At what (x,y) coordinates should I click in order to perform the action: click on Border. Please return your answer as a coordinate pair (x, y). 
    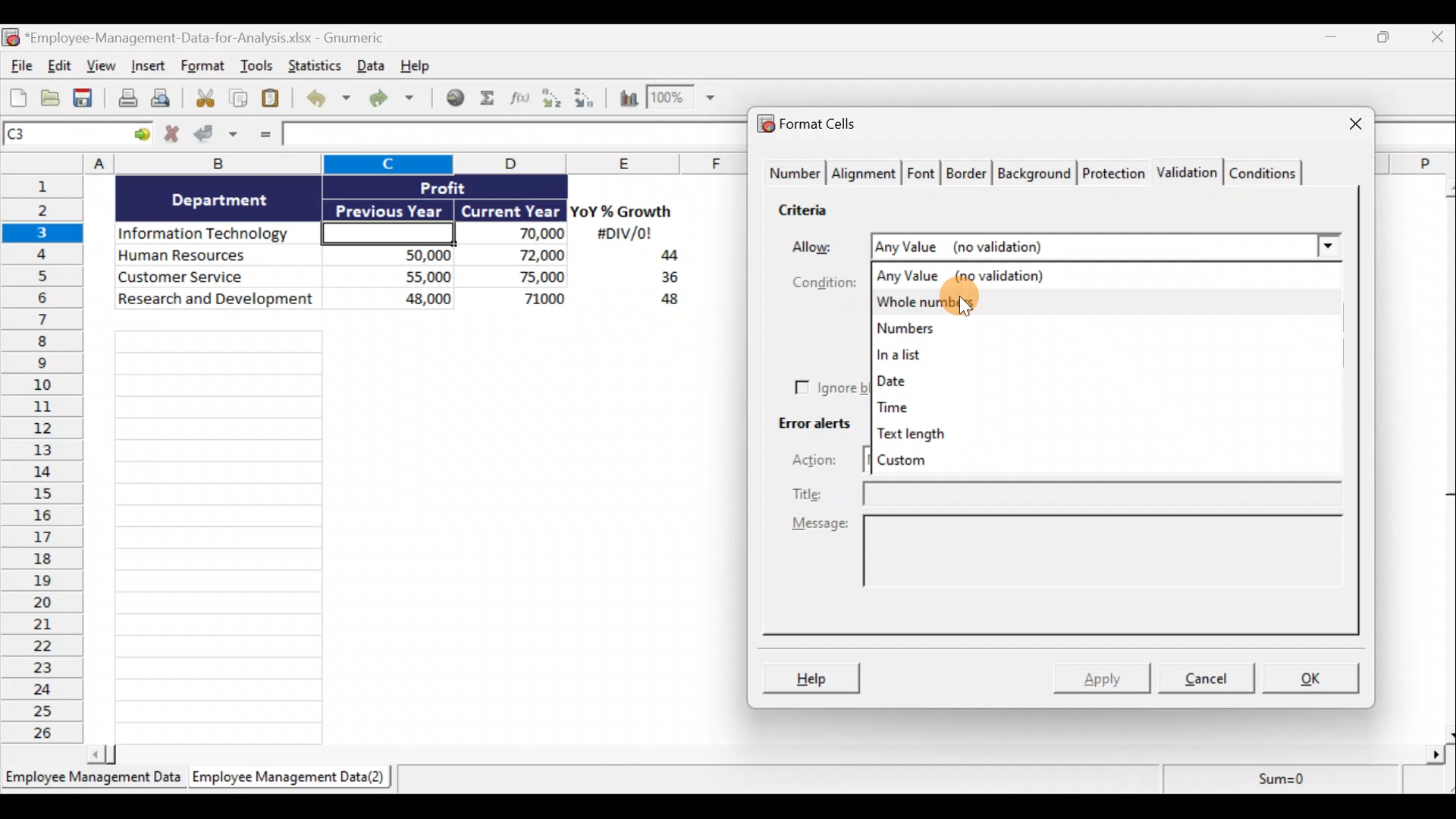
    Looking at the image, I should click on (968, 174).